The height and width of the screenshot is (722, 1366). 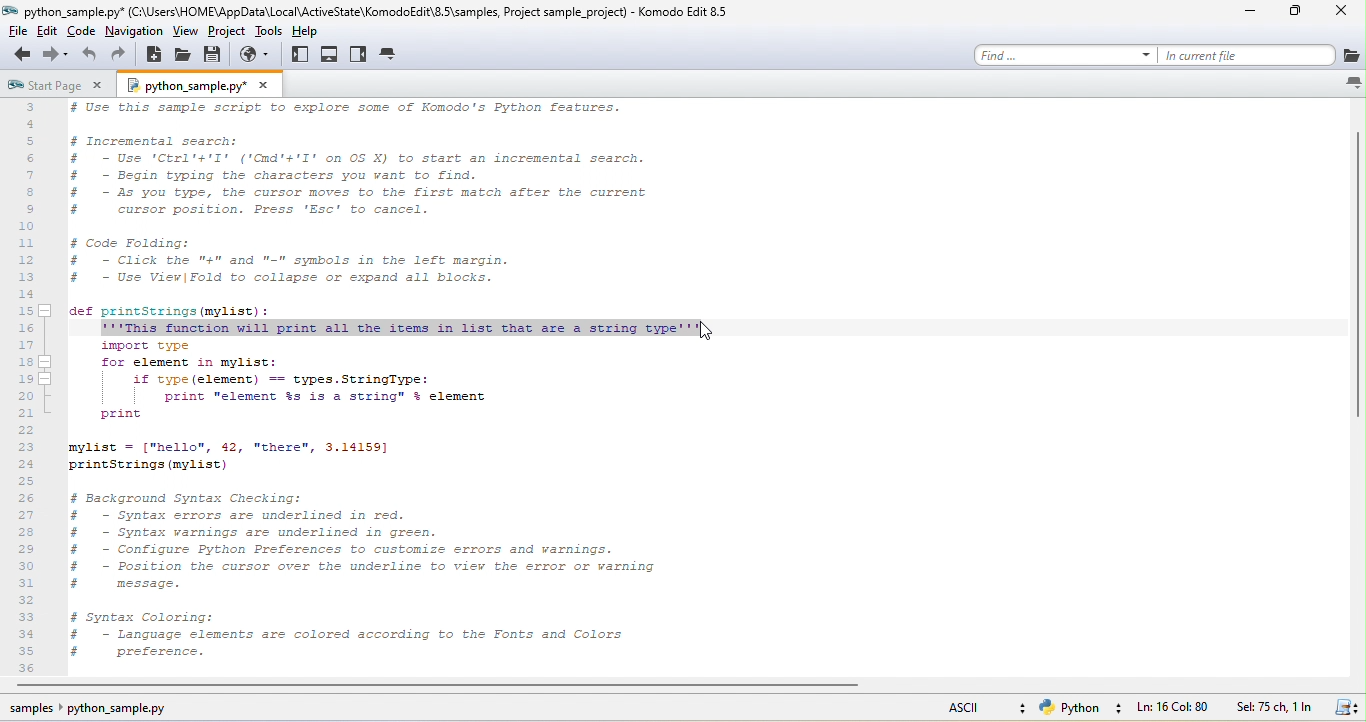 What do you see at coordinates (702, 334) in the screenshot?
I see `cursor structure changed ` at bounding box center [702, 334].